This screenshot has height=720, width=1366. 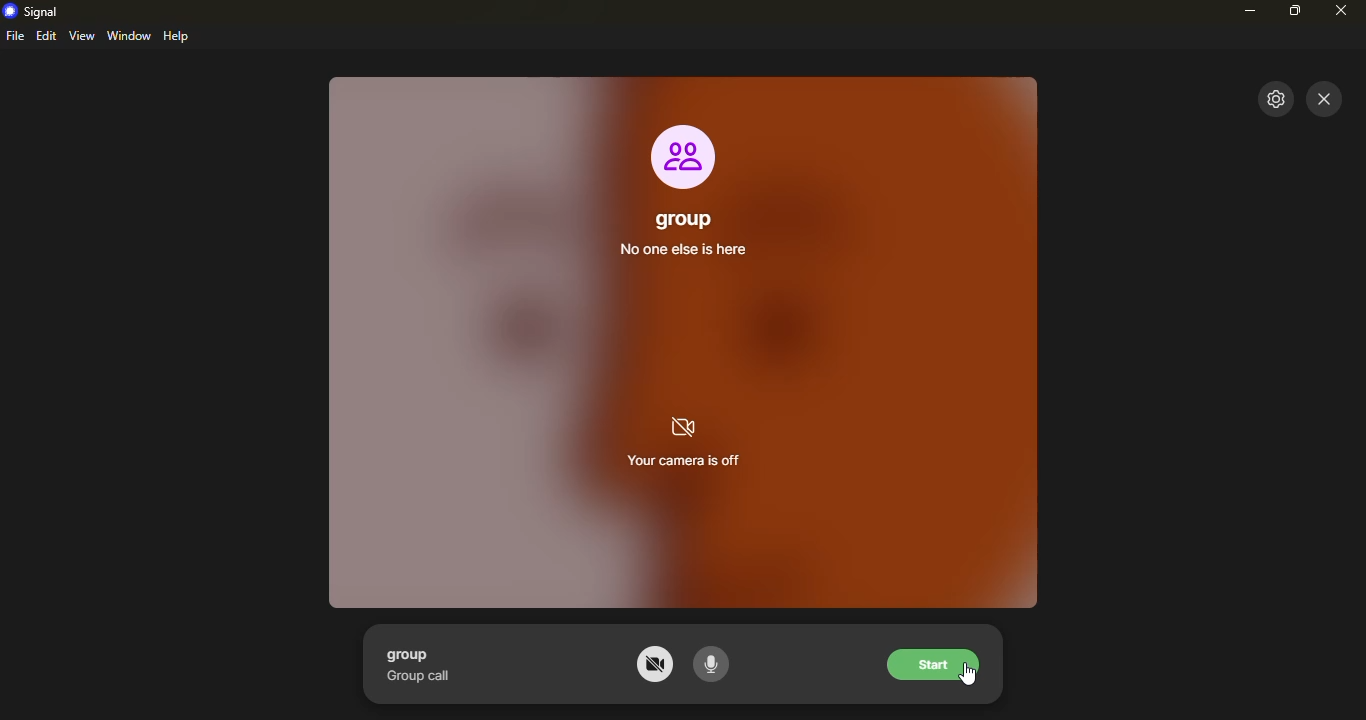 What do you see at coordinates (720, 665) in the screenshot?
I see `microphone` at bounding box center [720, 665].